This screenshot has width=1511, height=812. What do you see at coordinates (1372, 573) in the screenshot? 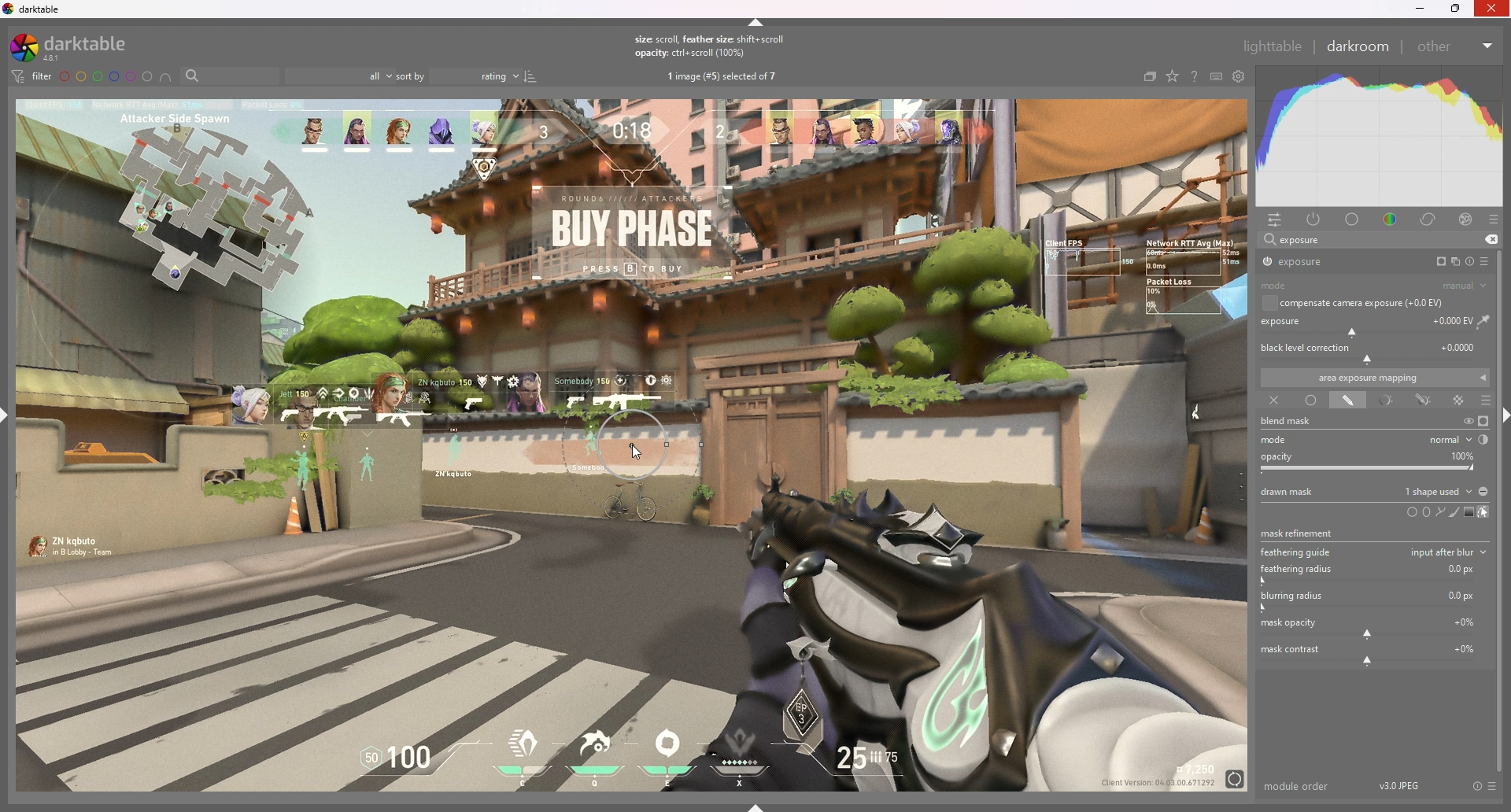
I see `feathuring` at bounding box center [1372, 573].